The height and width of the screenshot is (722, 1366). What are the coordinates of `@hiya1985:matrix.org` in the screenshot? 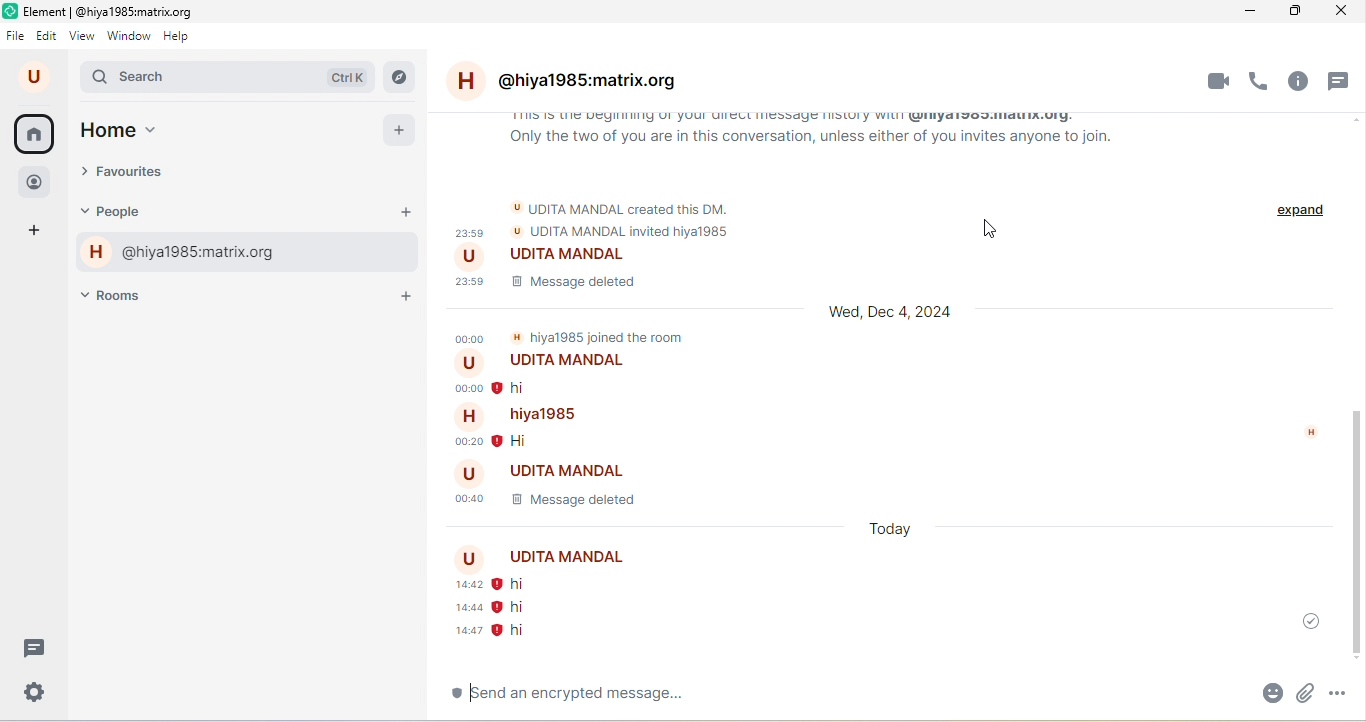 It's located at (181, 254).